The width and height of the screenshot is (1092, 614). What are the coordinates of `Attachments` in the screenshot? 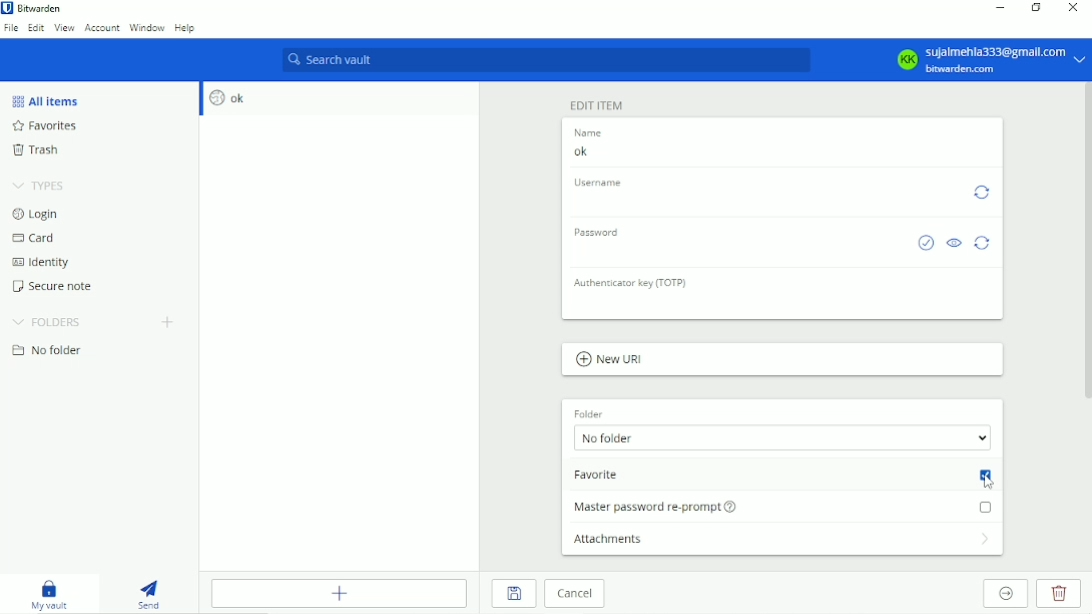 It's located at (780, 540).